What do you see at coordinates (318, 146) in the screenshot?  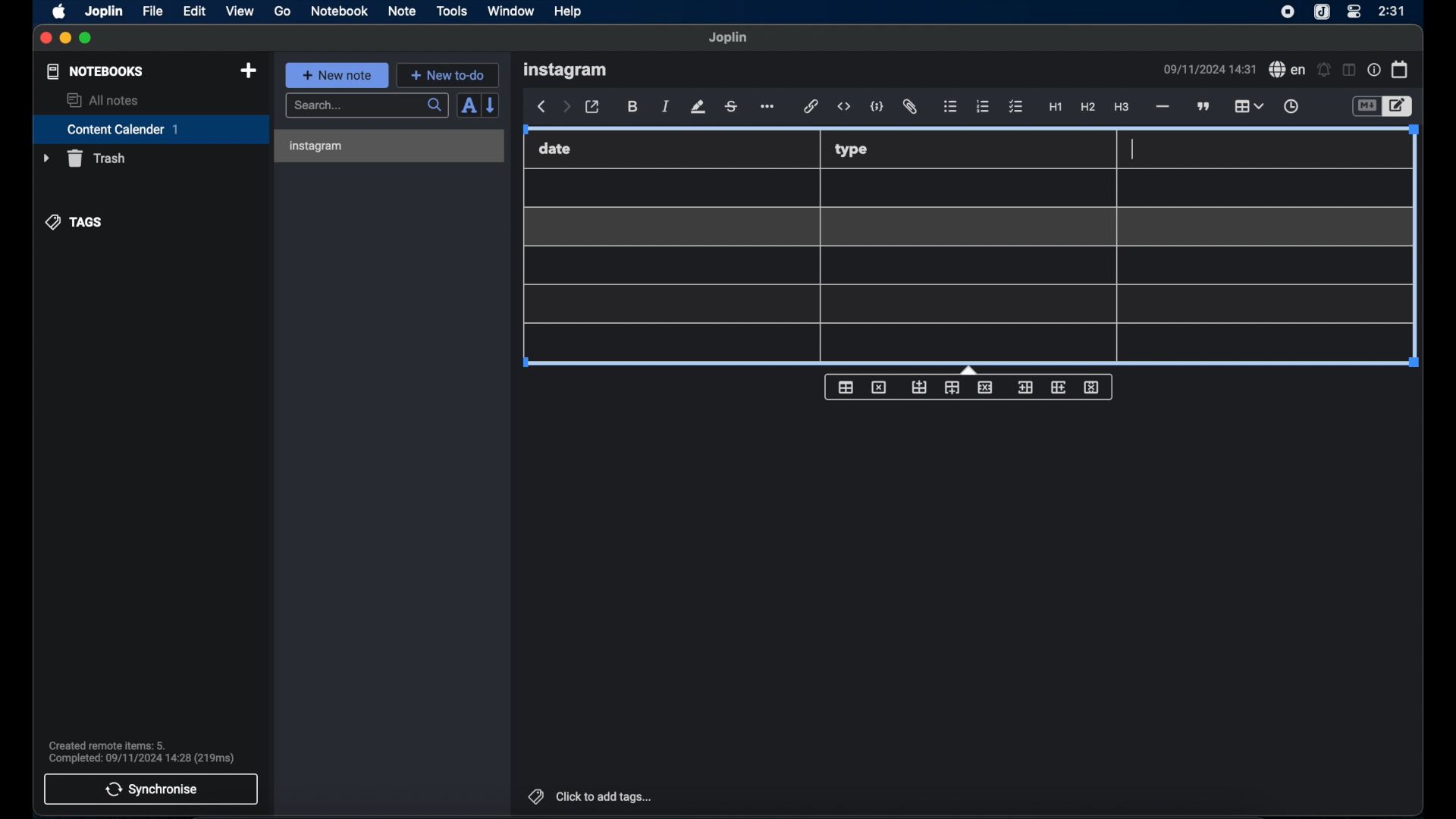 I see `instagram` at bounding box center [318, 146].